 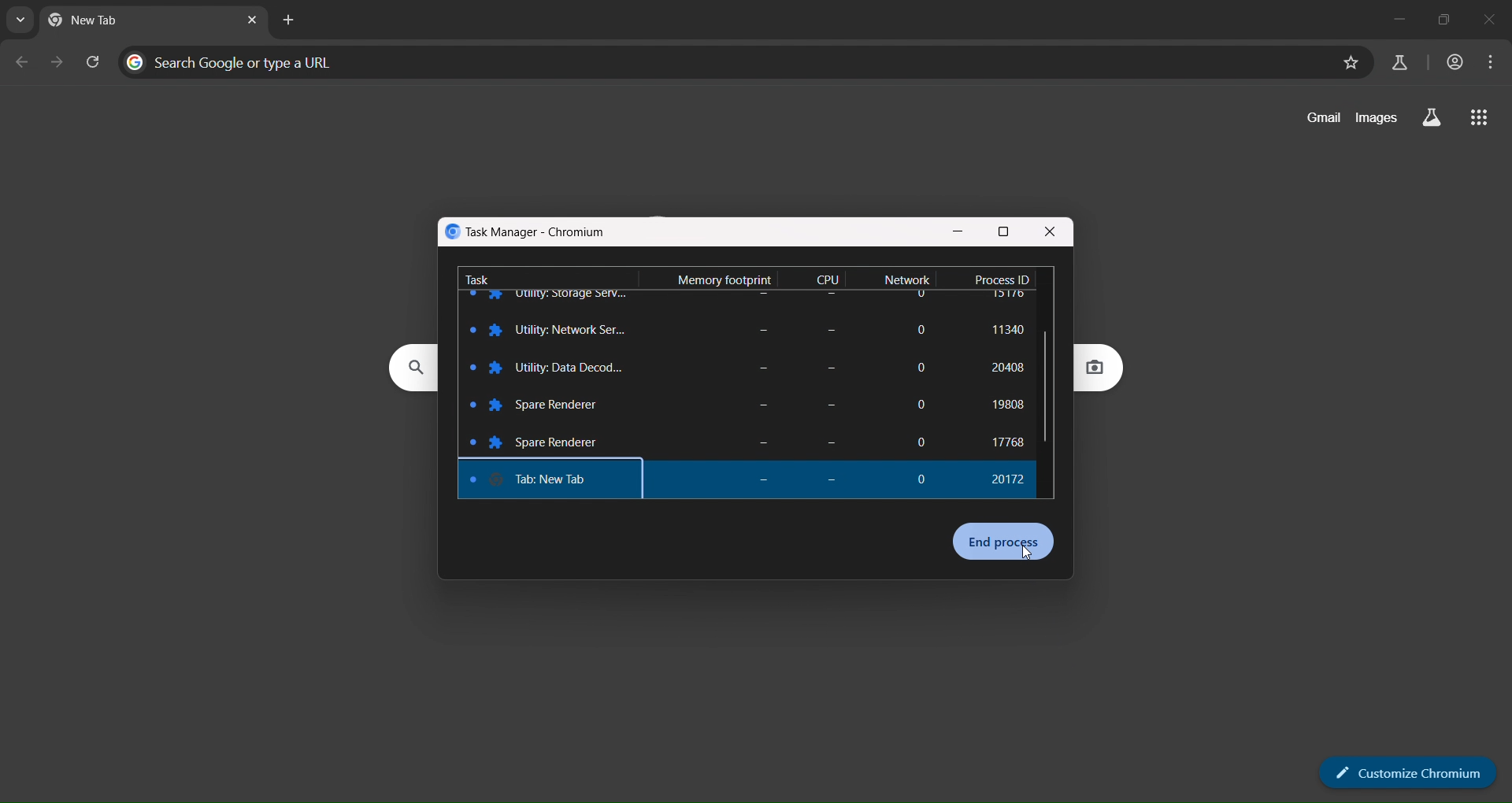 What do you see at coordinates (1398, 61) in the screenshot?
I see `search labs` at bounding box center [1398, 61].